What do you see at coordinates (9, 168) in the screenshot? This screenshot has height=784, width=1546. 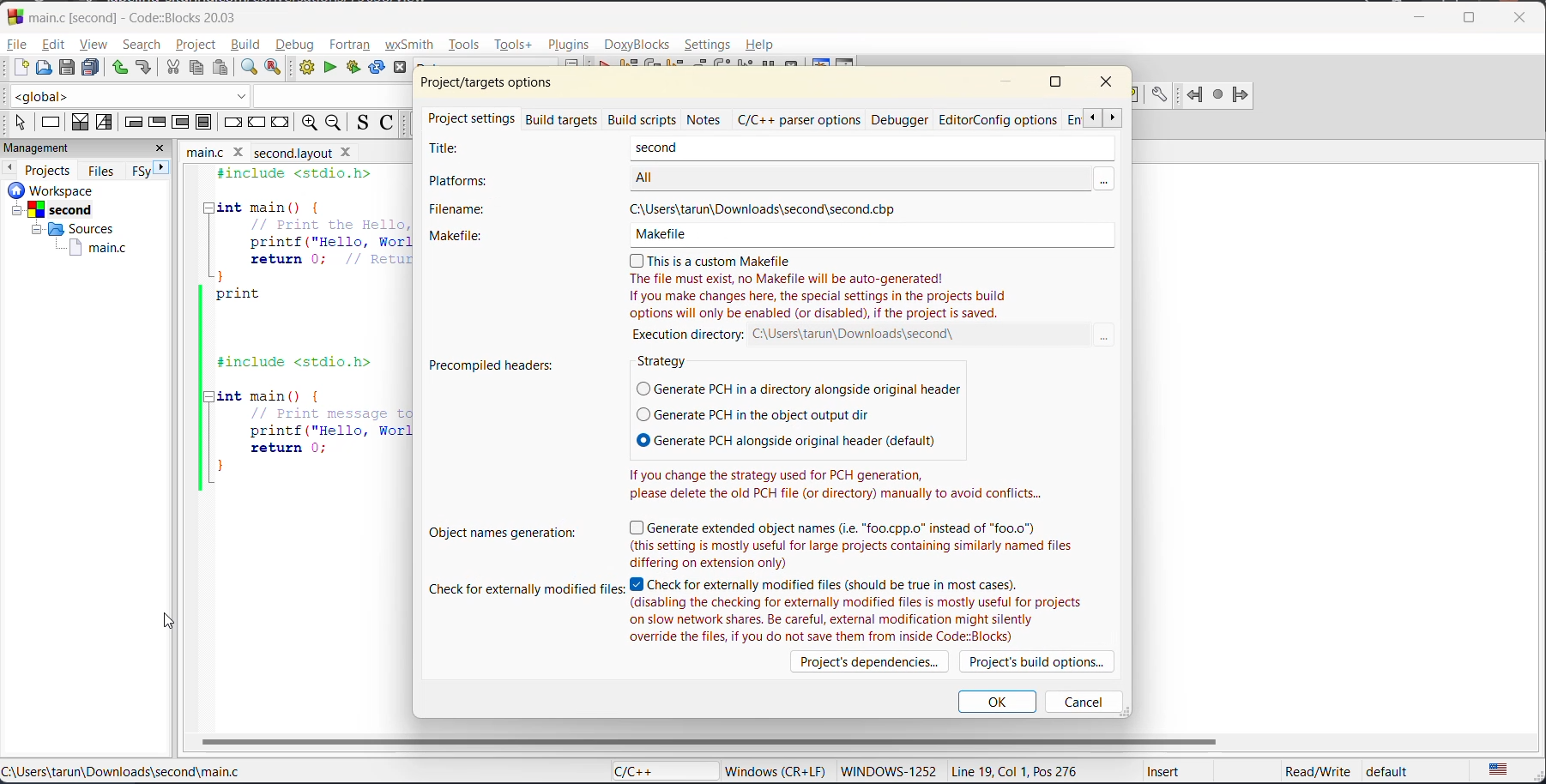 I see `previous` at bounding box center [9, 168].